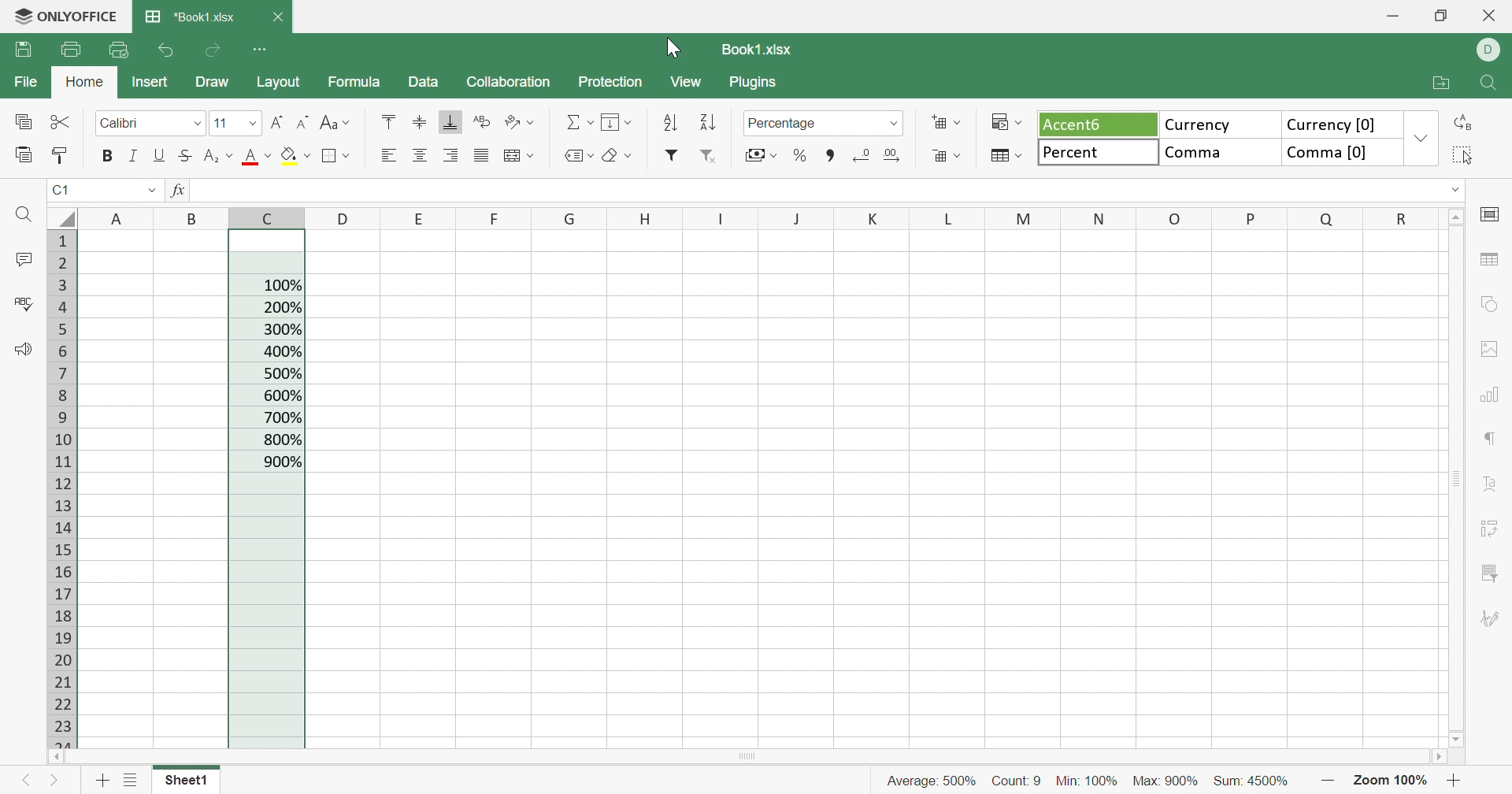 The height and width of the screenshot is (794, 1512). Describe the element at coordinates (360, 83) in the screenshot. I see `Formula` at that location.